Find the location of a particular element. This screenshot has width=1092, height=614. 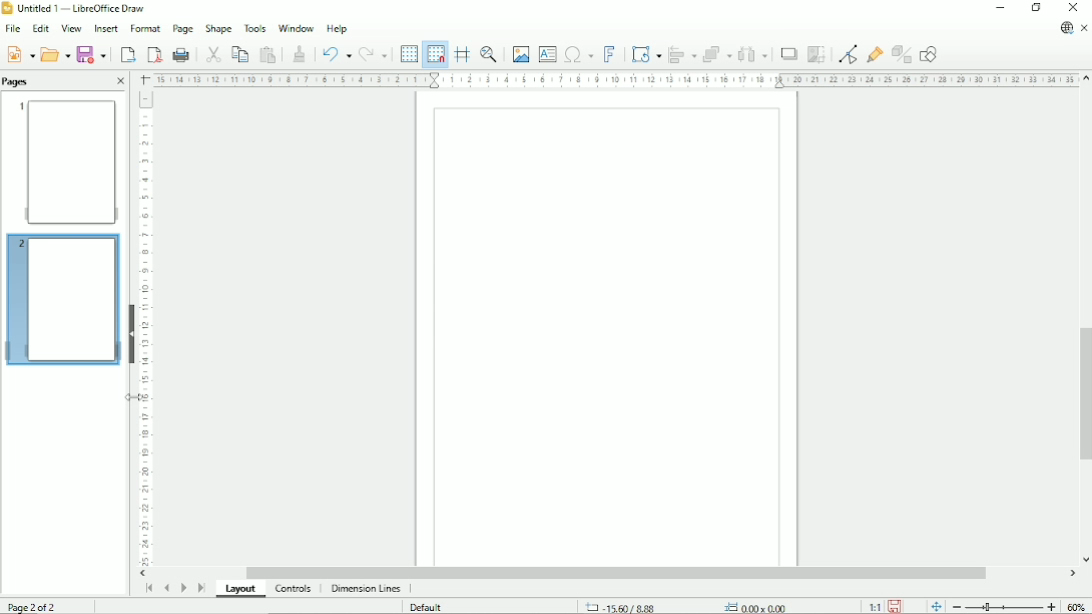

Toggle extrusion is located at coordinates (903, 55).